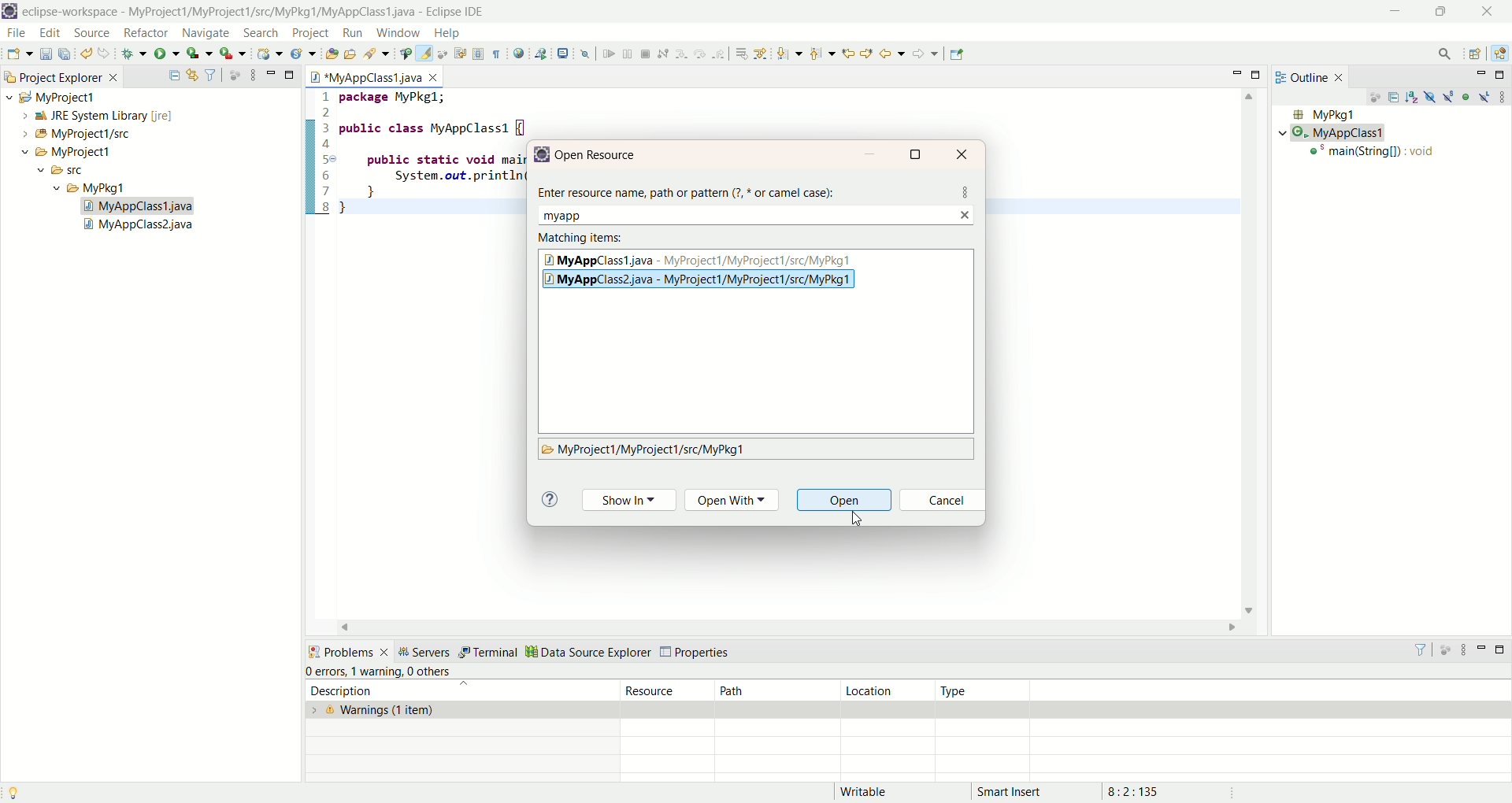  I want to click on minimize, so click(870, 155).